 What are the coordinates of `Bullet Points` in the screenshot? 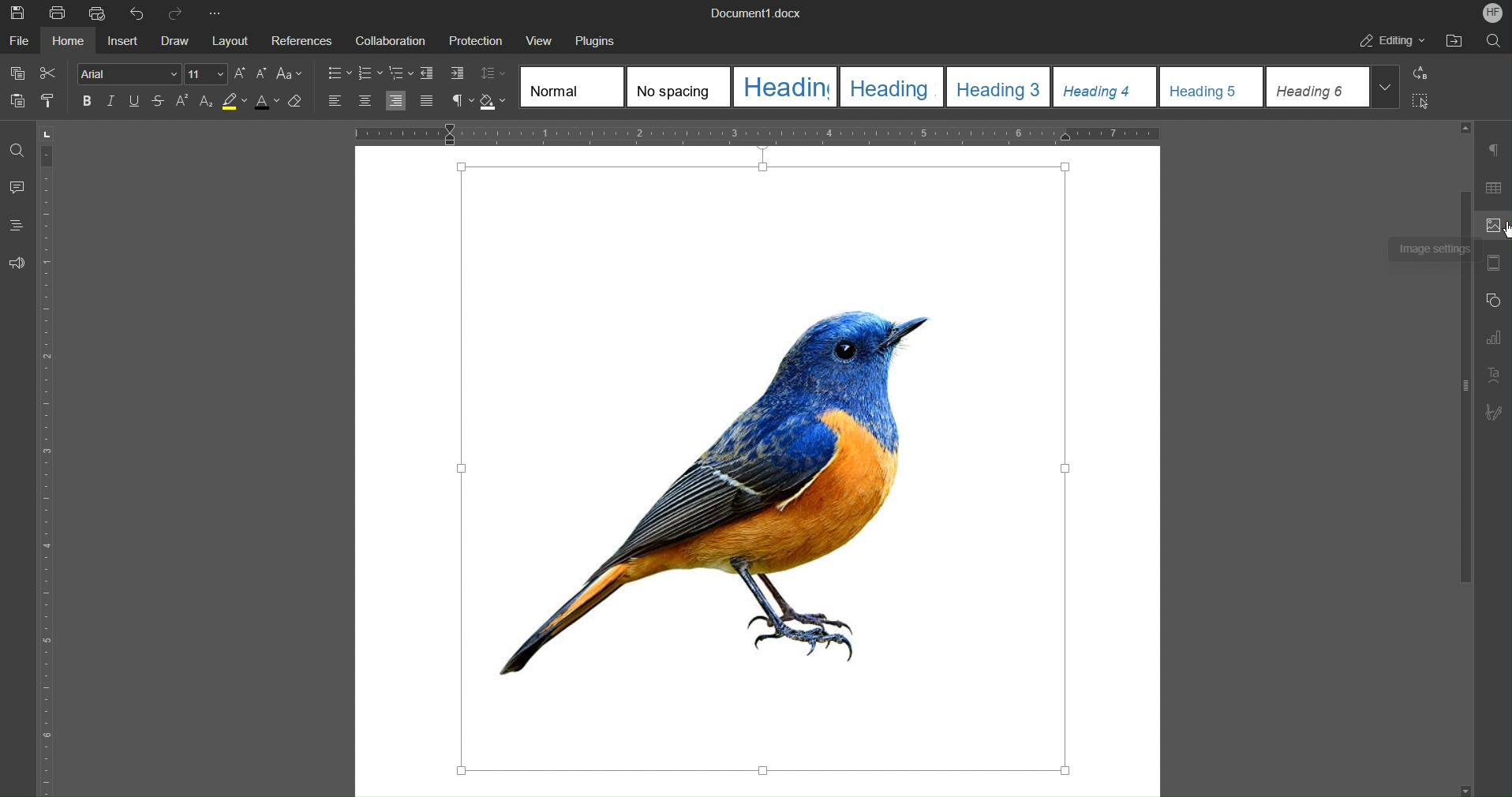 It's located at (339, 74).